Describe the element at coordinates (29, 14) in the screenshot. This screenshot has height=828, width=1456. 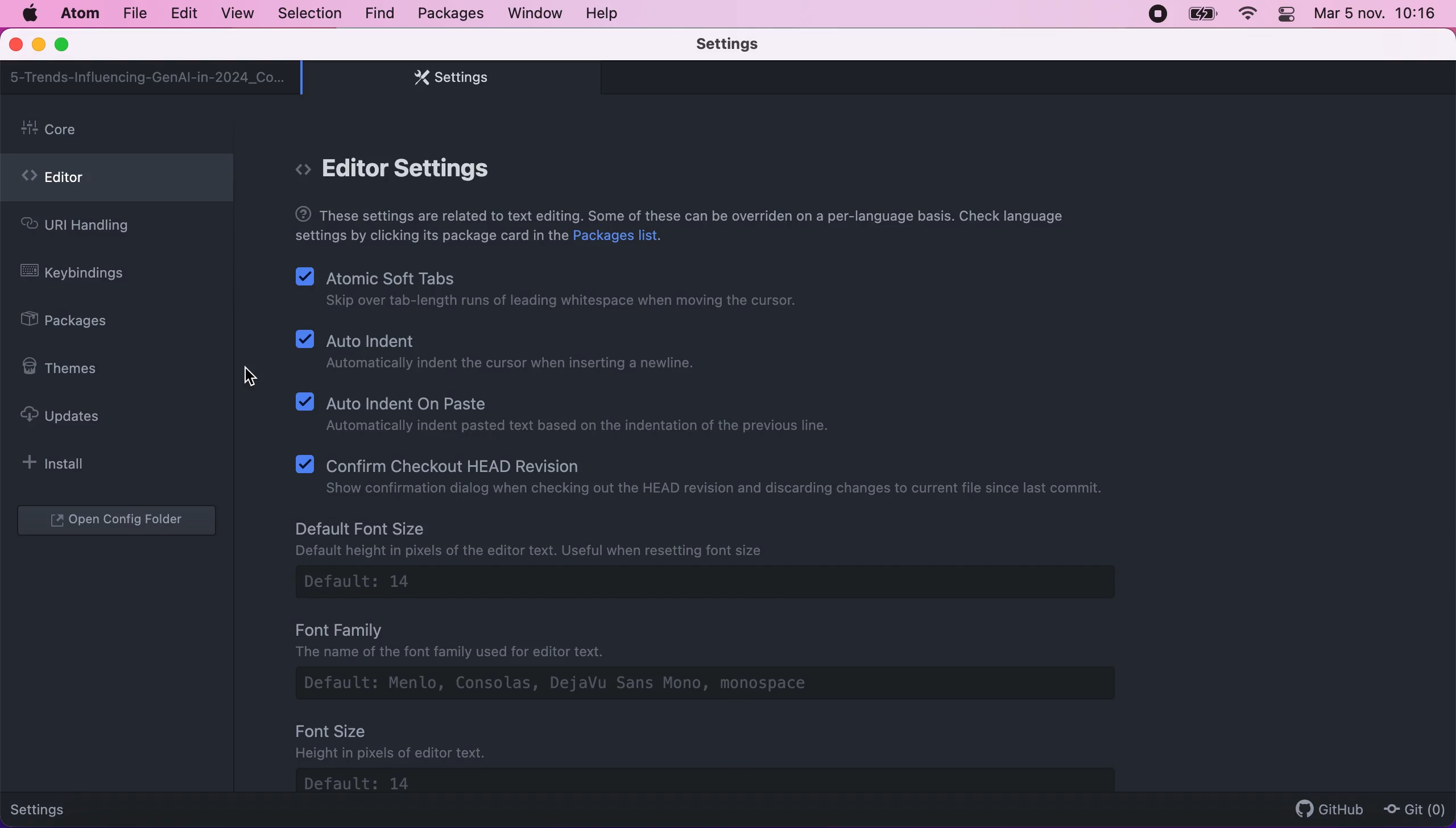
I see `mac logo` at that location.